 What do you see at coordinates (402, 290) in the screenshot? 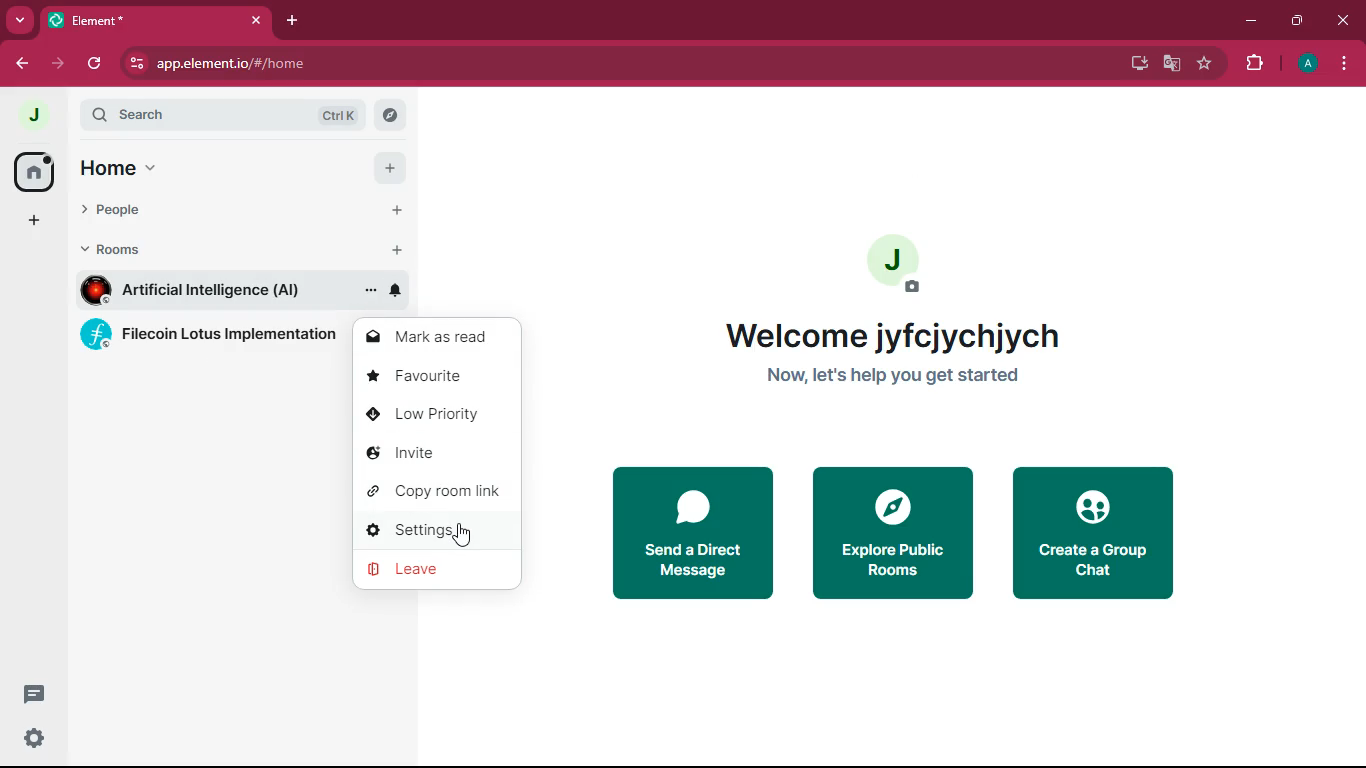
I see `notifications` at bounding box center [402, 290].